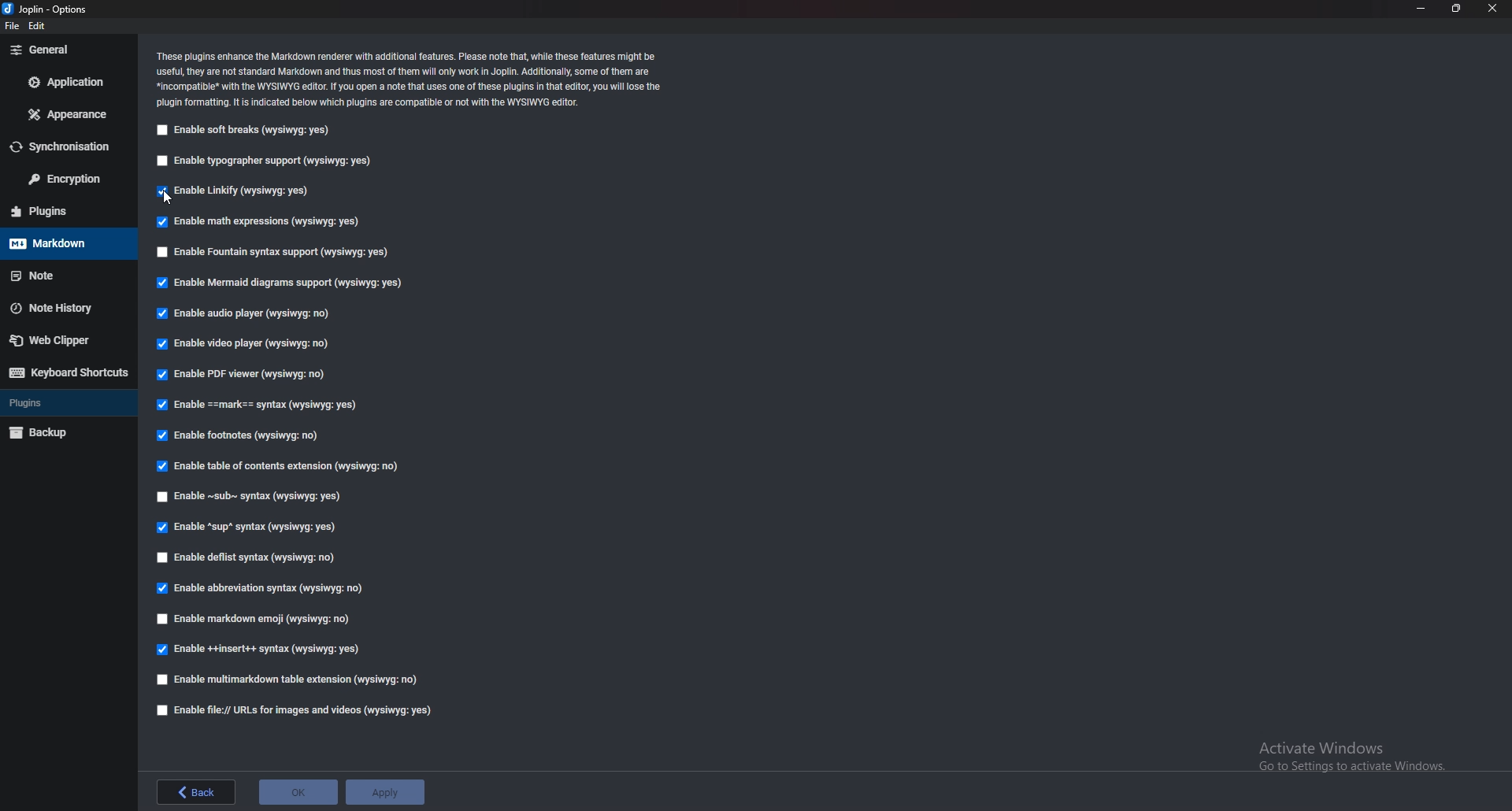 The width and height of the screenshot is (1512, 811). Describe the element at coordinates (250, 554) in the screenshot. I see `Enable deflist syntax` at that location.